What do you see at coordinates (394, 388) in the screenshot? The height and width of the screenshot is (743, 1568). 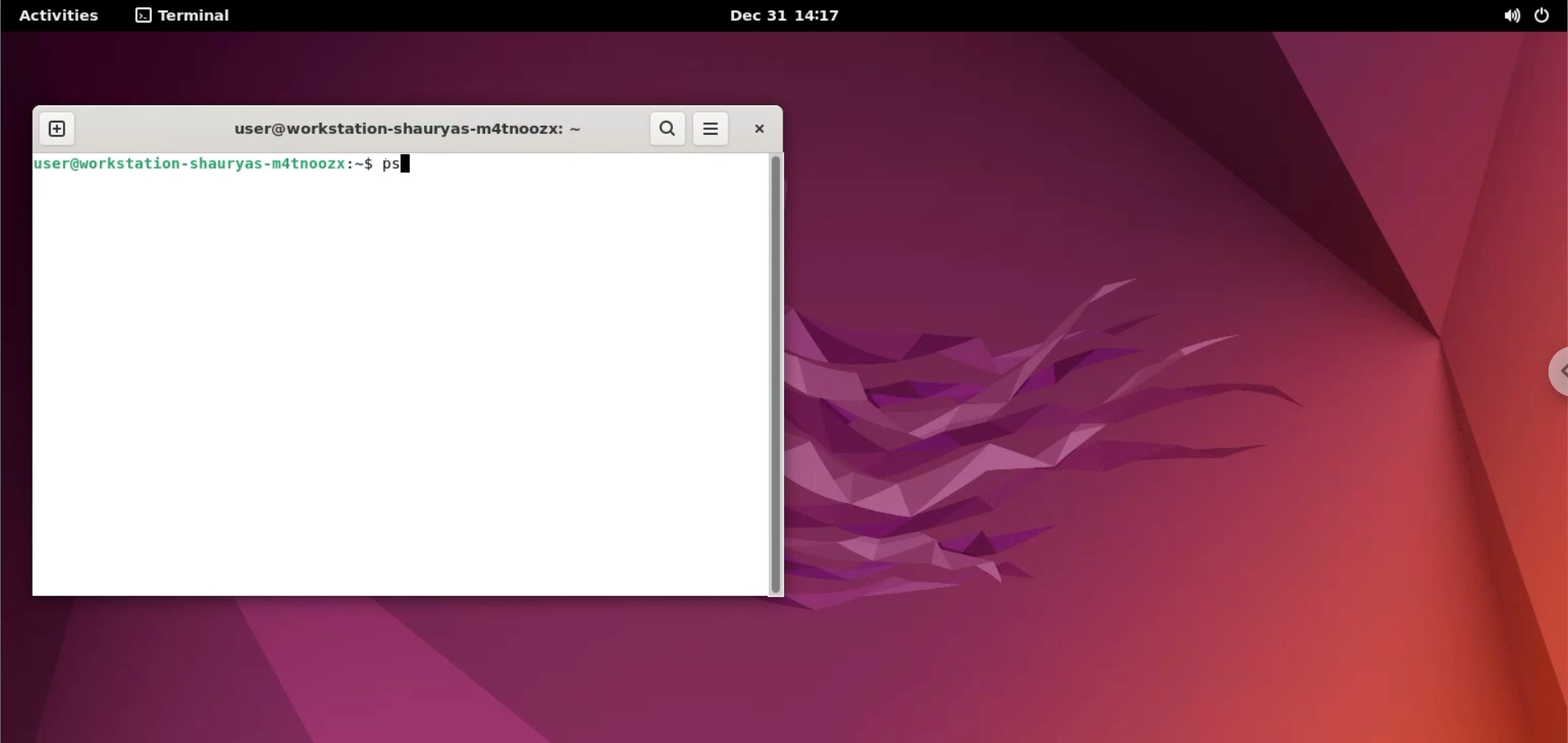 I see `command input box` at bounding box center [394, 388].